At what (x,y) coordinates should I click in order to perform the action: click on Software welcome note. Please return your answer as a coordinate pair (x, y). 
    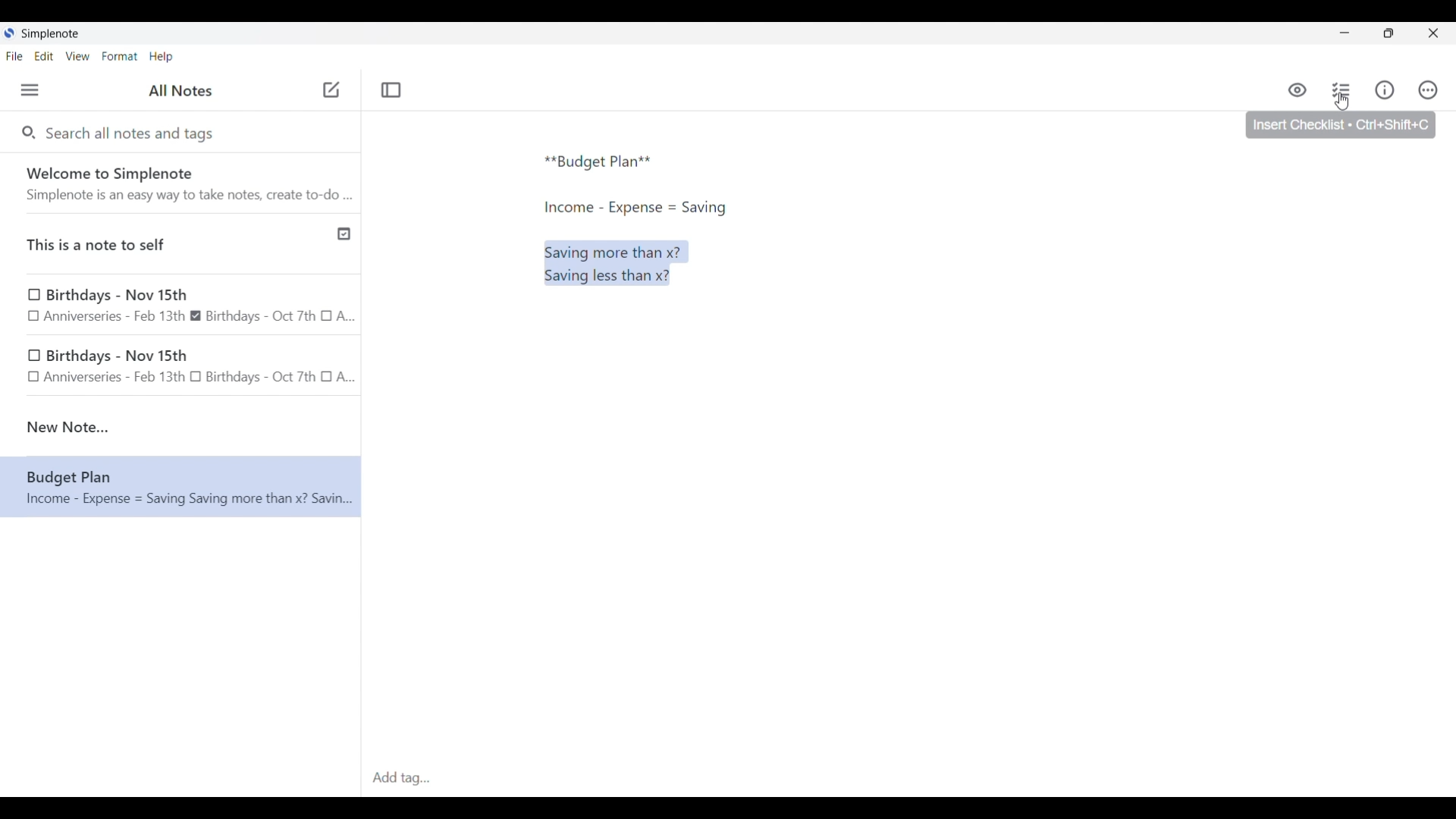
    Looking at the image, I should click on (184, 183).